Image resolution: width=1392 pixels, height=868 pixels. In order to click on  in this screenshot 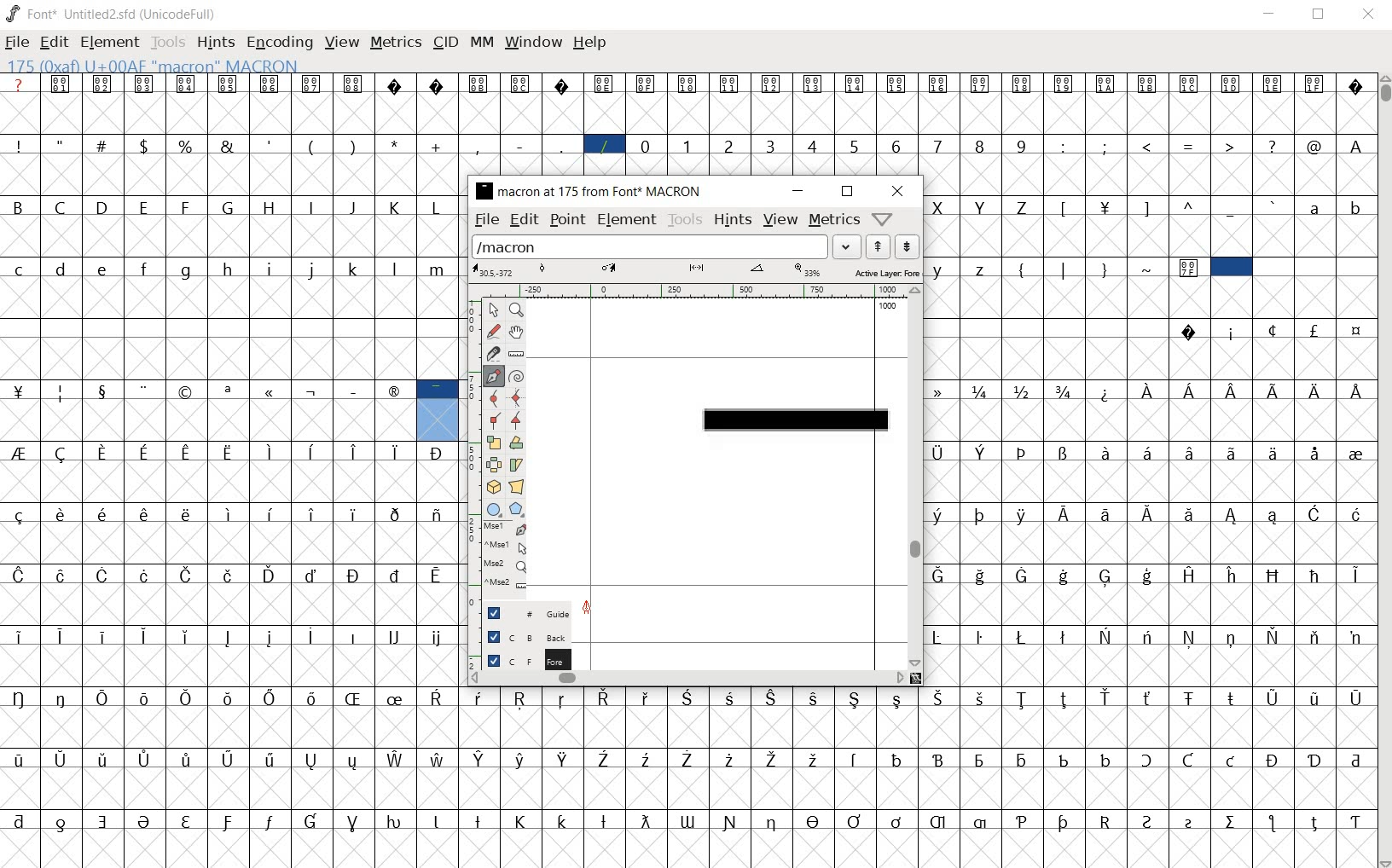, I will do `click(1271, 697)`.